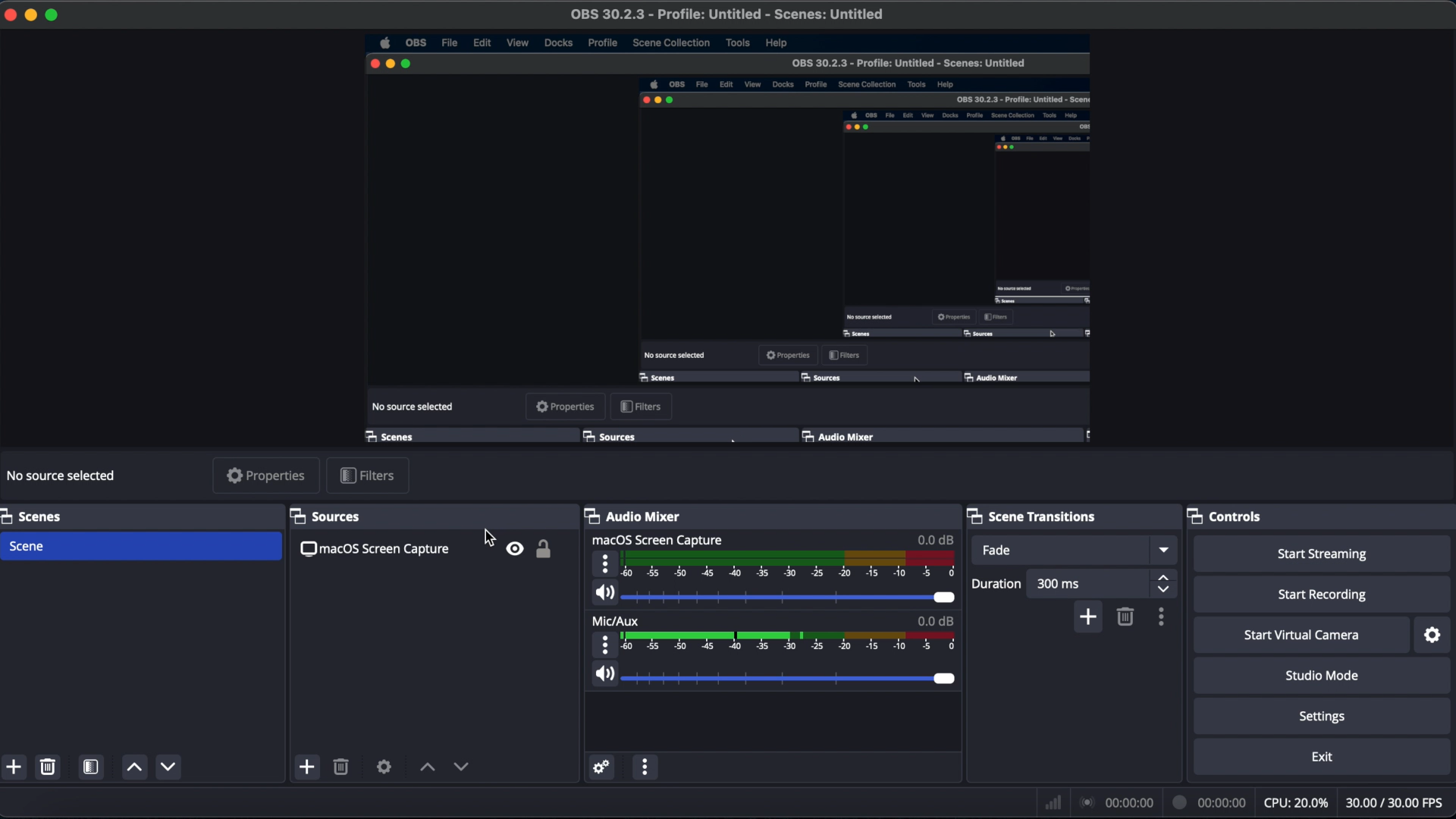 This screenshot has width=1456, height=819. What do you see at coordinates (428, 767) in the screenshot?
I see `move source (s) down` at bounding box center [428, 767].